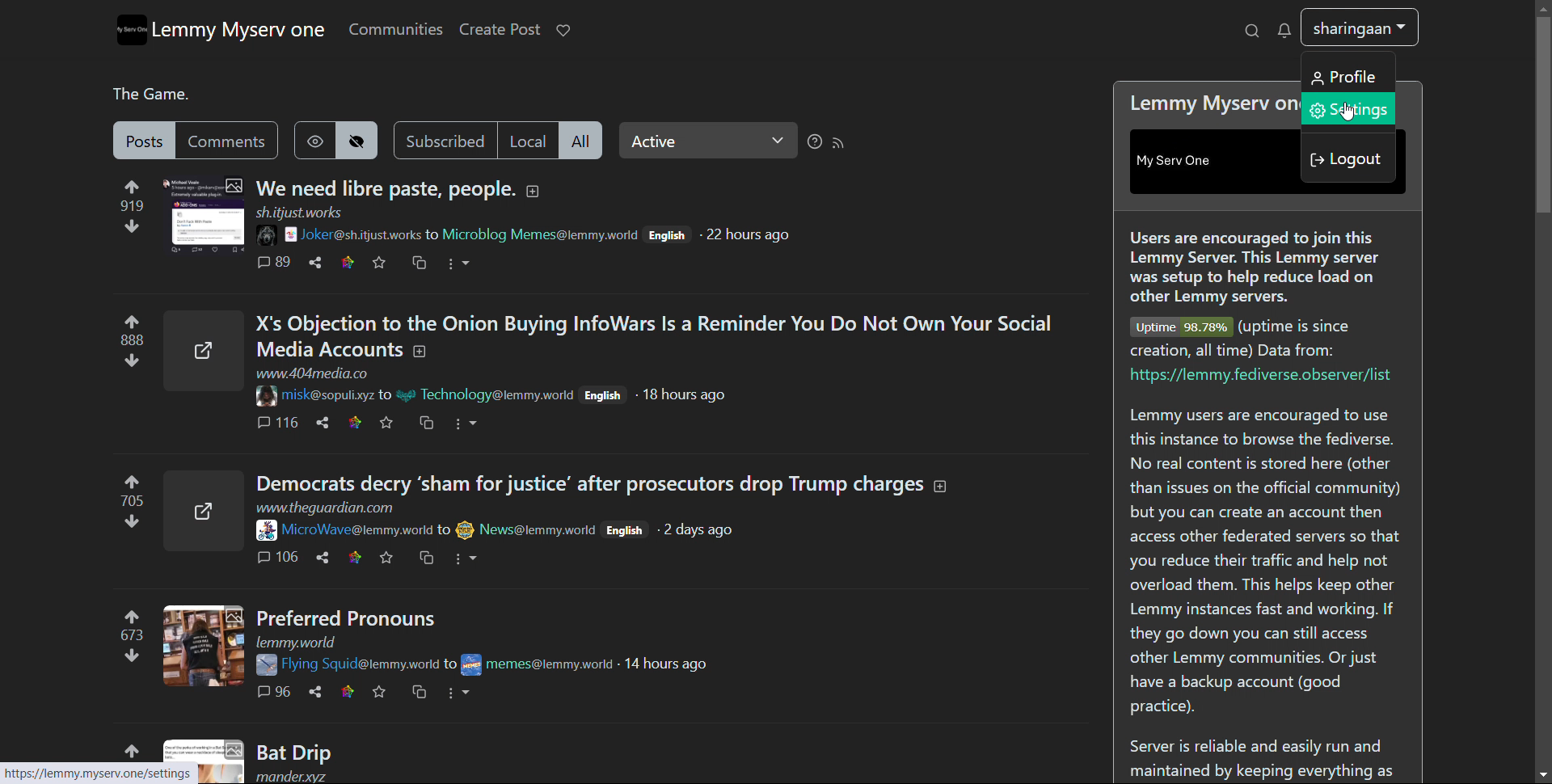  What do you see at coordinates (145, 94) in the screenshot?
I see `The Game.` at bounding box center [145, 94].